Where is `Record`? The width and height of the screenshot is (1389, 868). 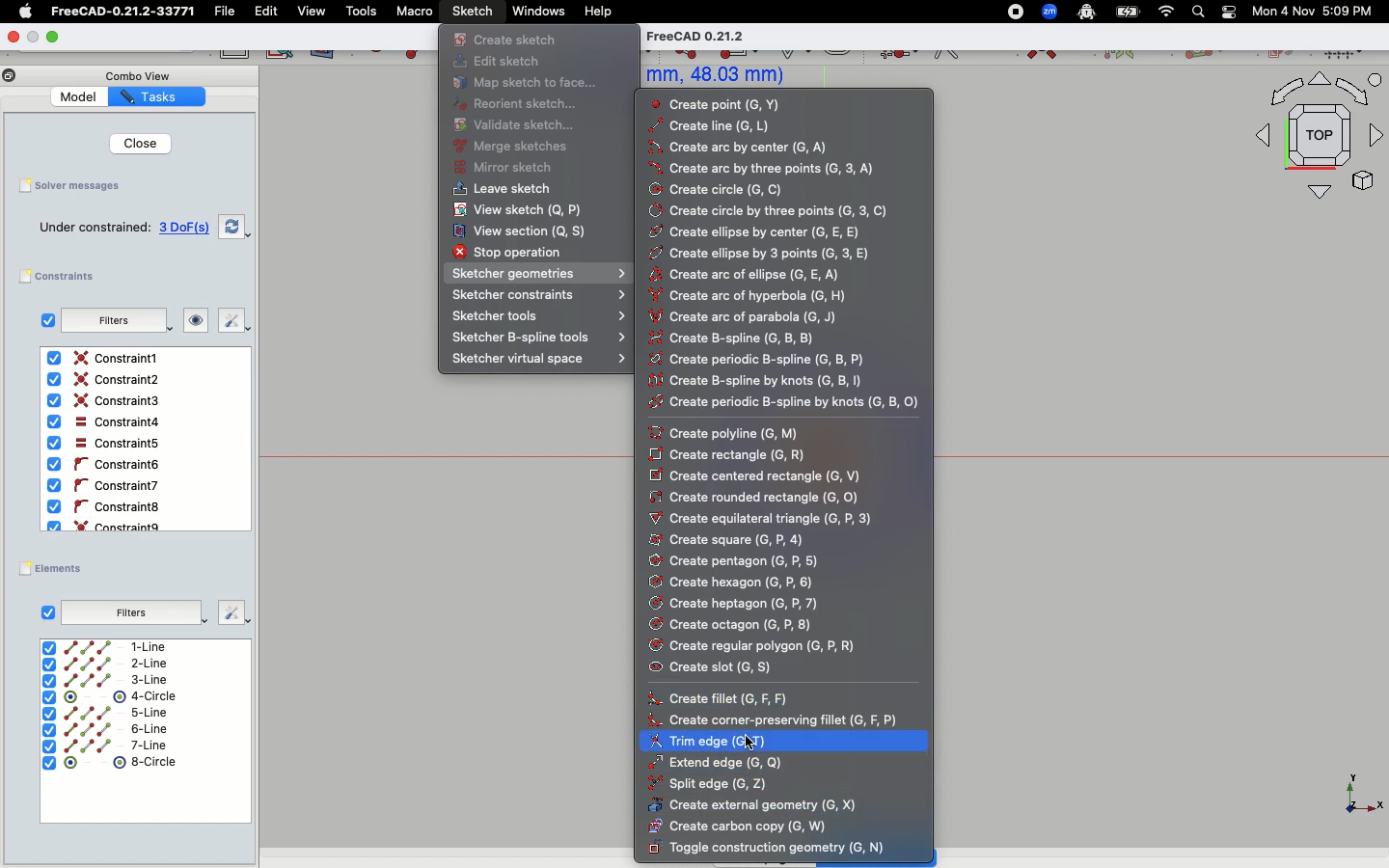
Record is located at coordinates (1007, 12).